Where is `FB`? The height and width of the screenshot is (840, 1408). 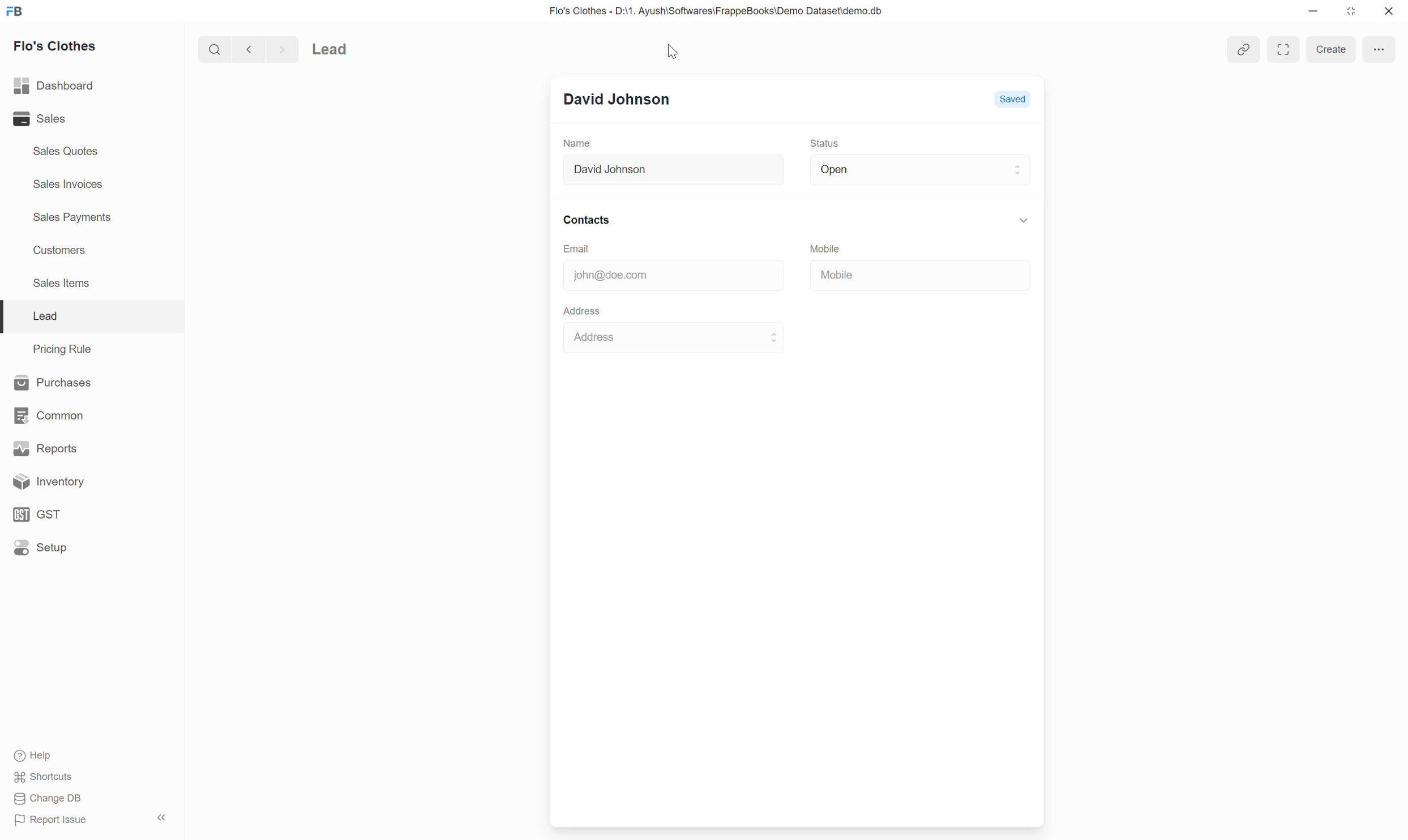 FB is located at coordinates (15, 12).